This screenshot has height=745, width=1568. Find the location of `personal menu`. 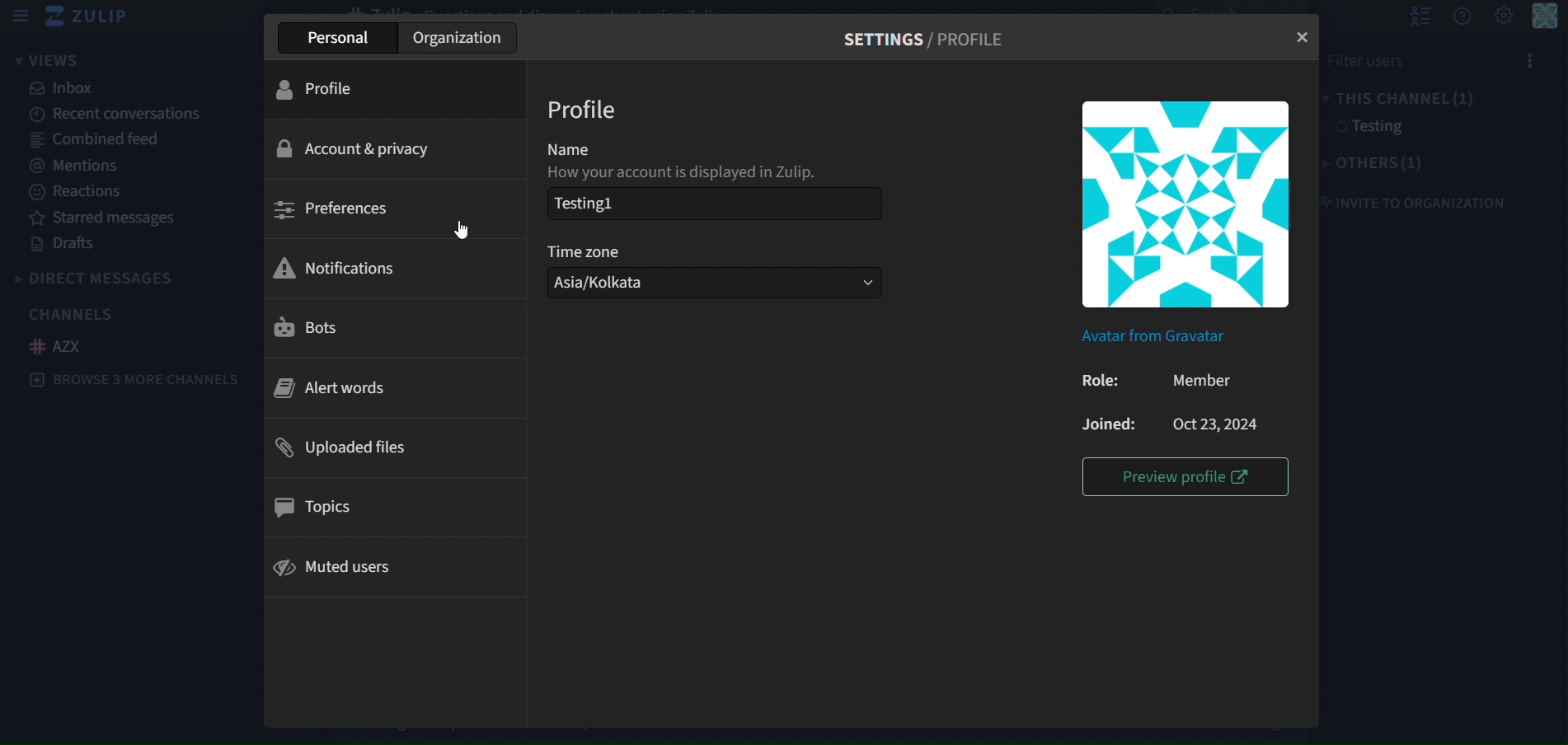

personal menu is located at coordinates (1543, 22).